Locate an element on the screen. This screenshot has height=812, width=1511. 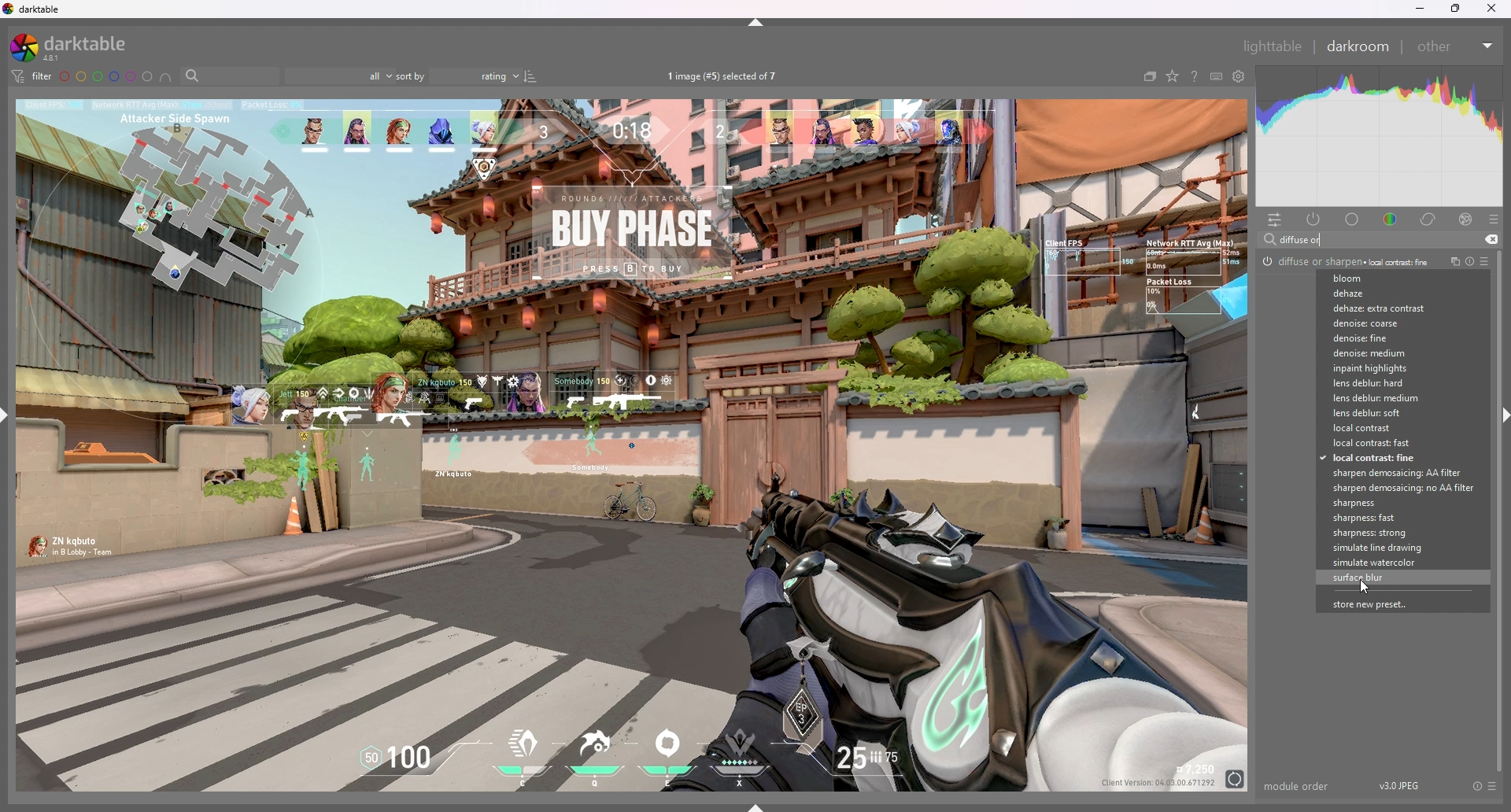
simulate watercolor is located at coordinates (1402, 563).